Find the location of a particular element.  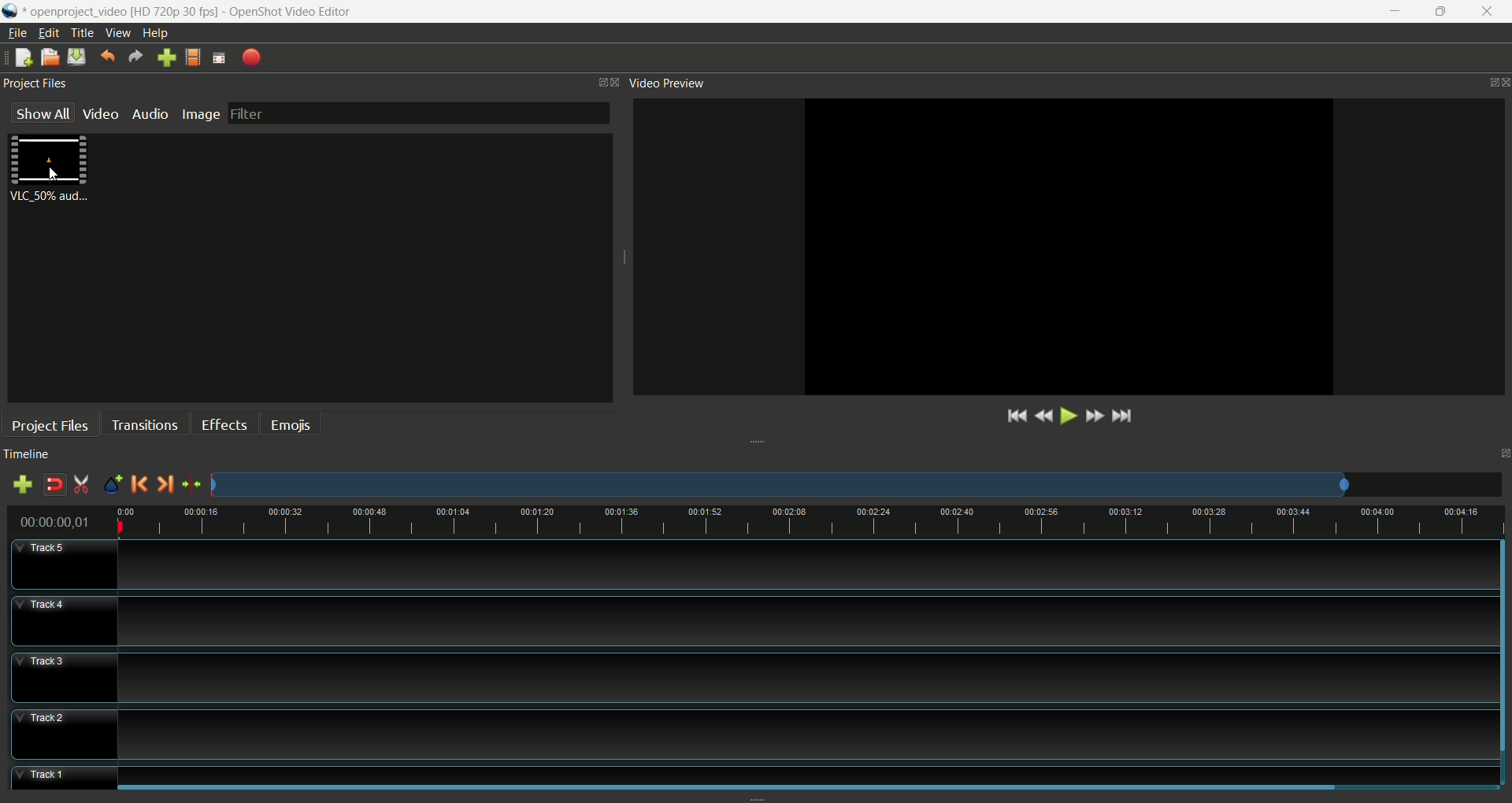

transitions is located at coordinates (143, 426).